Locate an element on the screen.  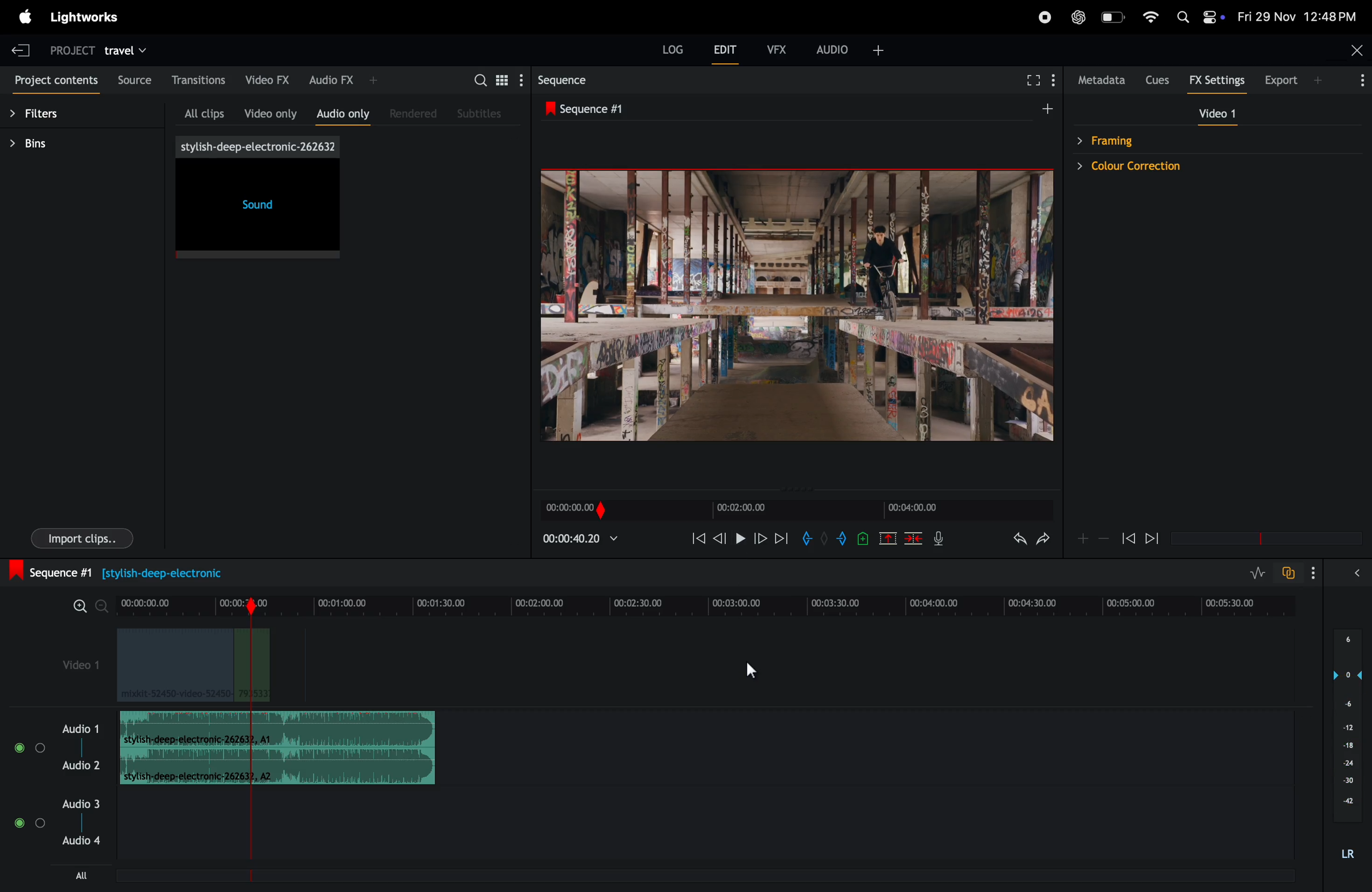
framing is located at coordinates (1118, 140).